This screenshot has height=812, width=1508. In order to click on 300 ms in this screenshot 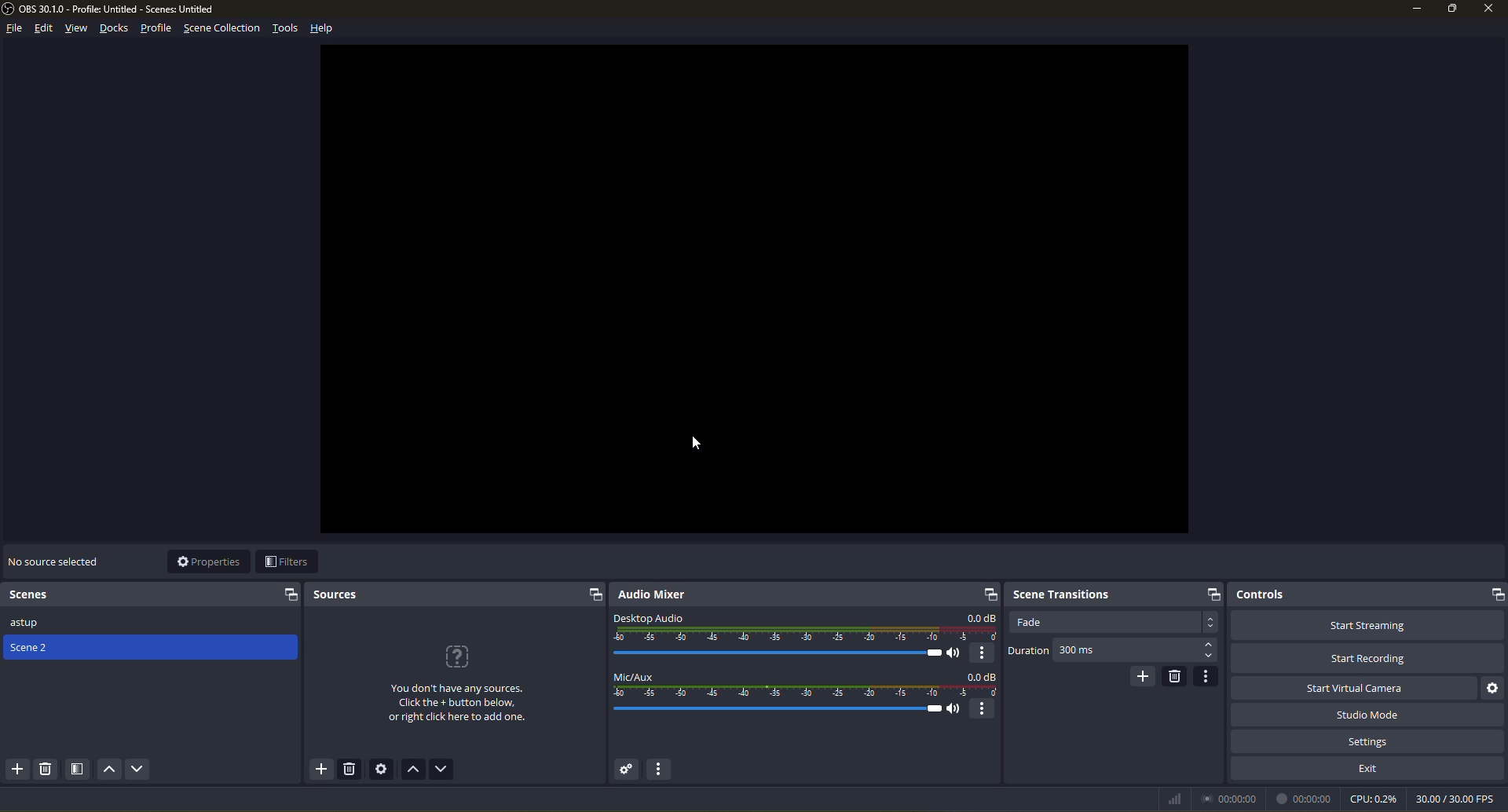, I will do `click(1082, 652)`.